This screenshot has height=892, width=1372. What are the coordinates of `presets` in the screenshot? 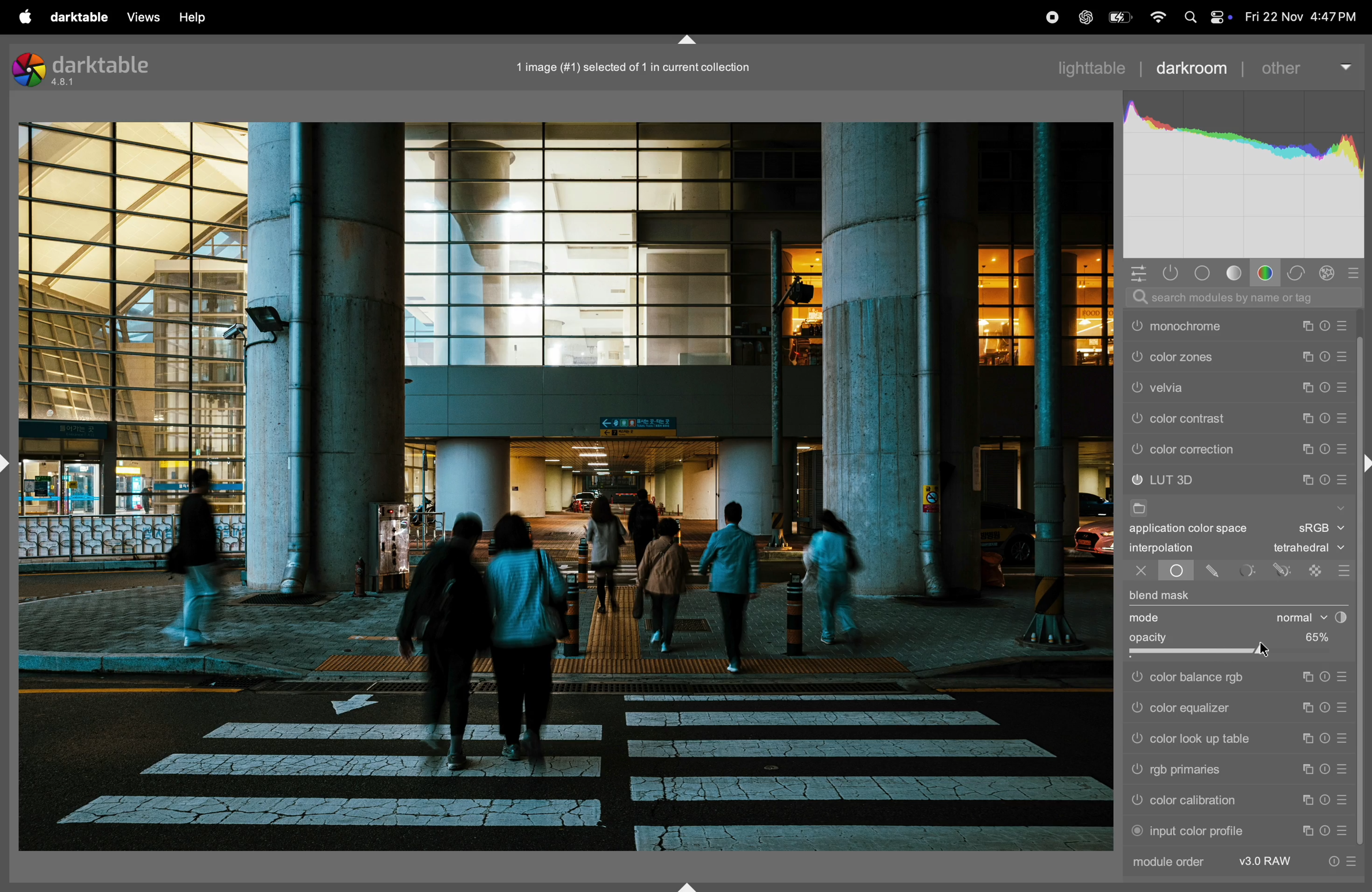 It's located at (1344, 675).